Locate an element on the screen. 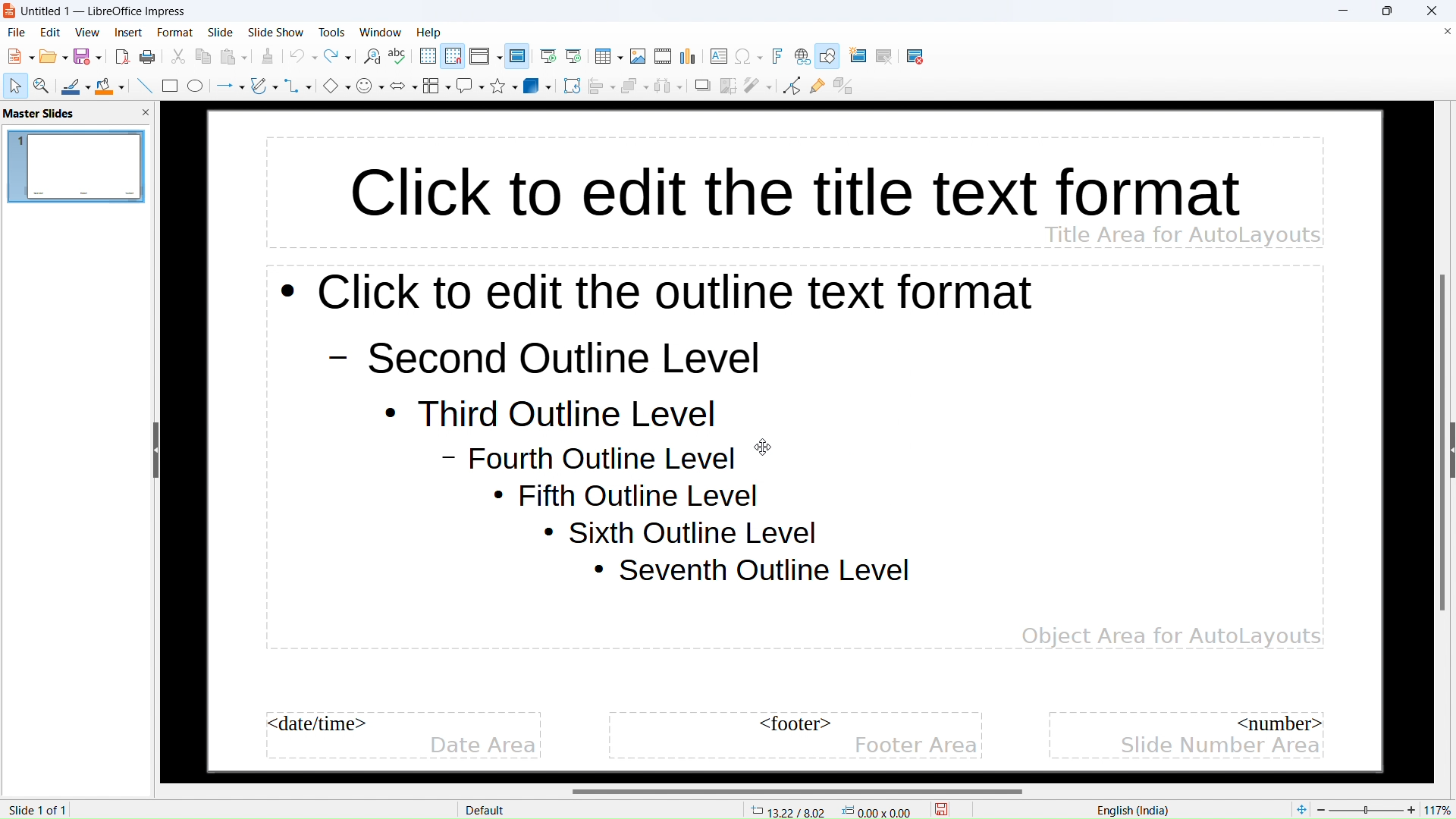 The height and width of the screenshot is (819, 1456). copy is located at coordinates (203, 57).